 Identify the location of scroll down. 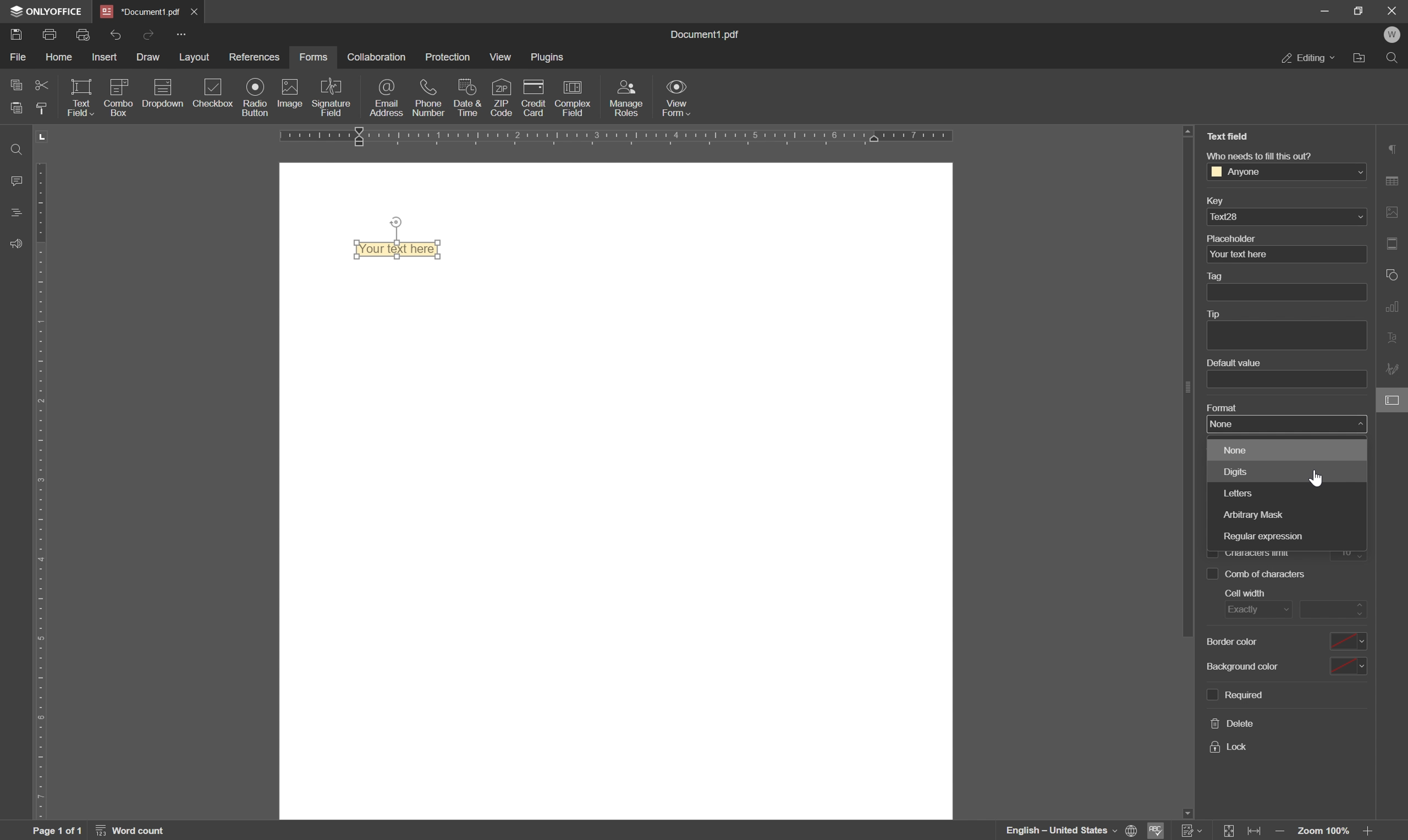
(1189, 802).